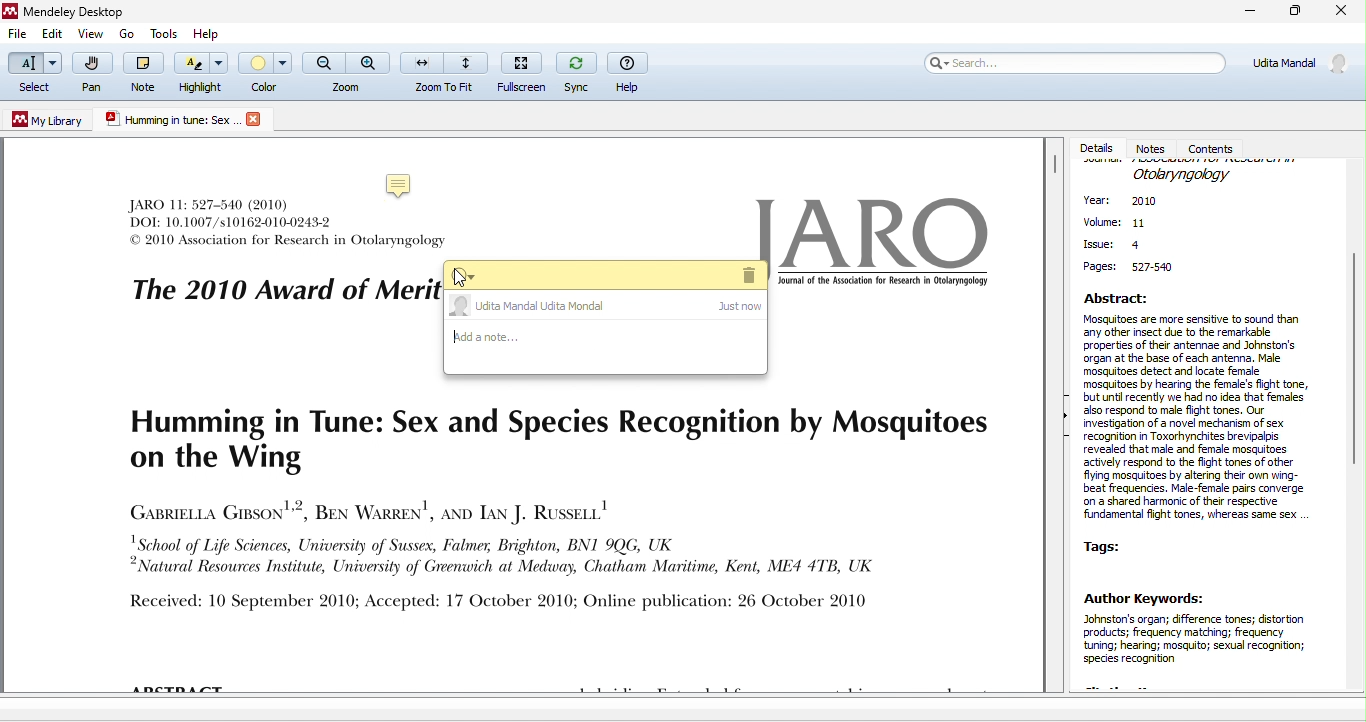 The height and width of the screenshot is (722, 1366). I want to click on go, so click(125, 33).